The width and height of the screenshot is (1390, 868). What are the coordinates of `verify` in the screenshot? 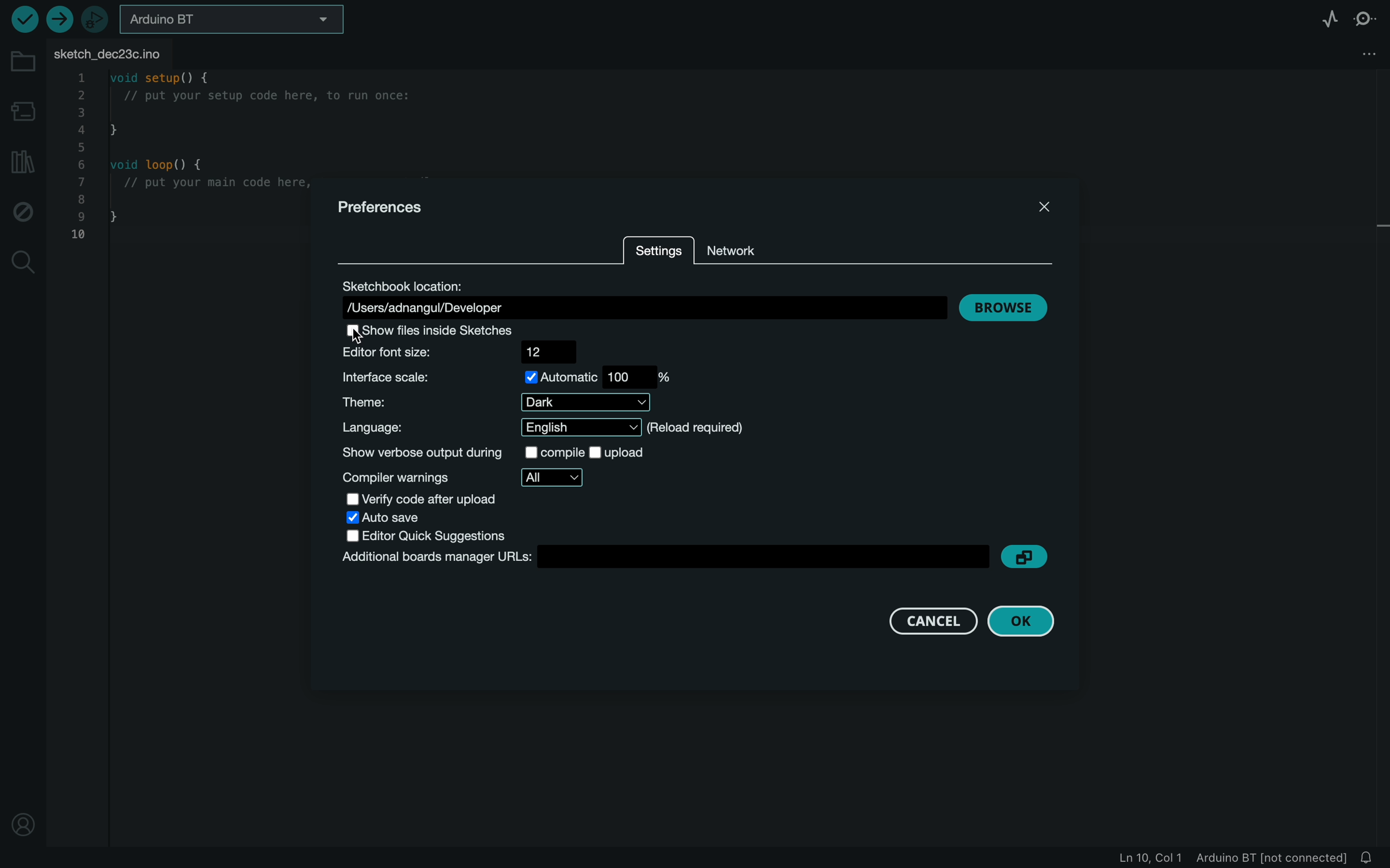 It's located at (22, 19).